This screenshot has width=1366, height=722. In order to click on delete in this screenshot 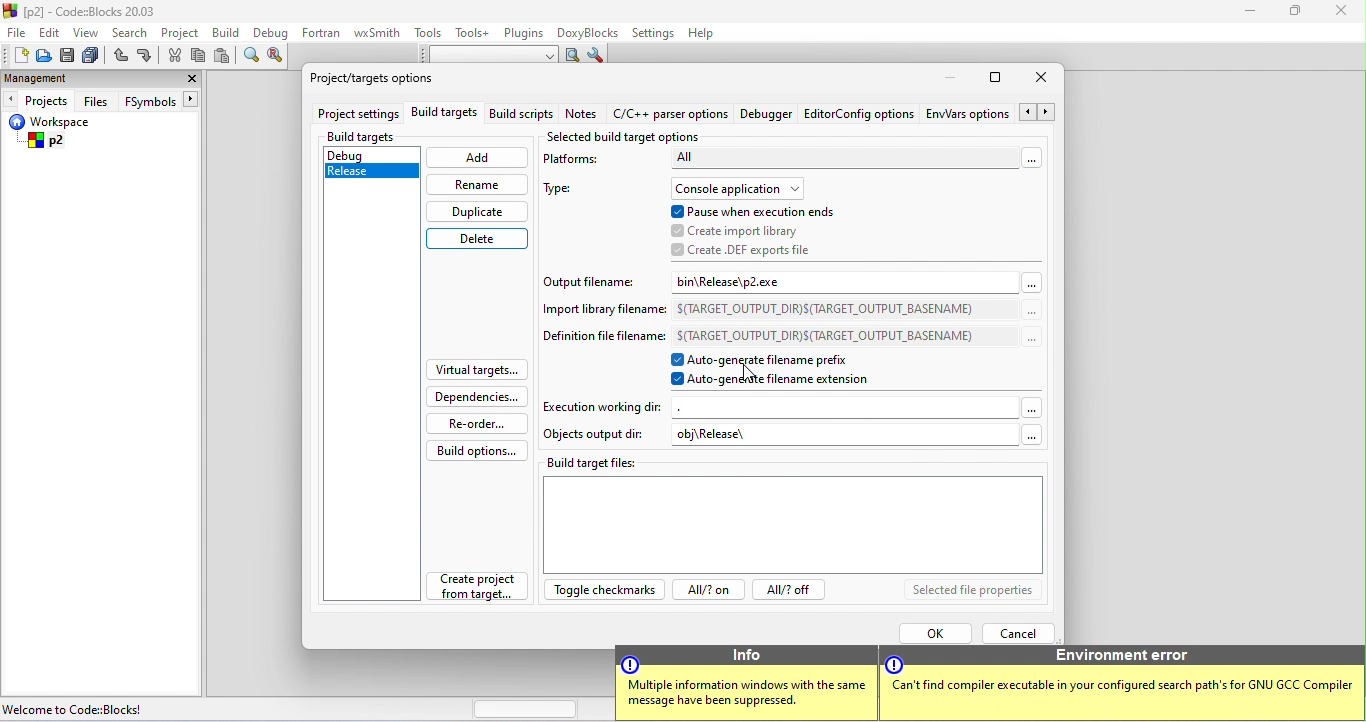, I will do `click(479, 239)`.